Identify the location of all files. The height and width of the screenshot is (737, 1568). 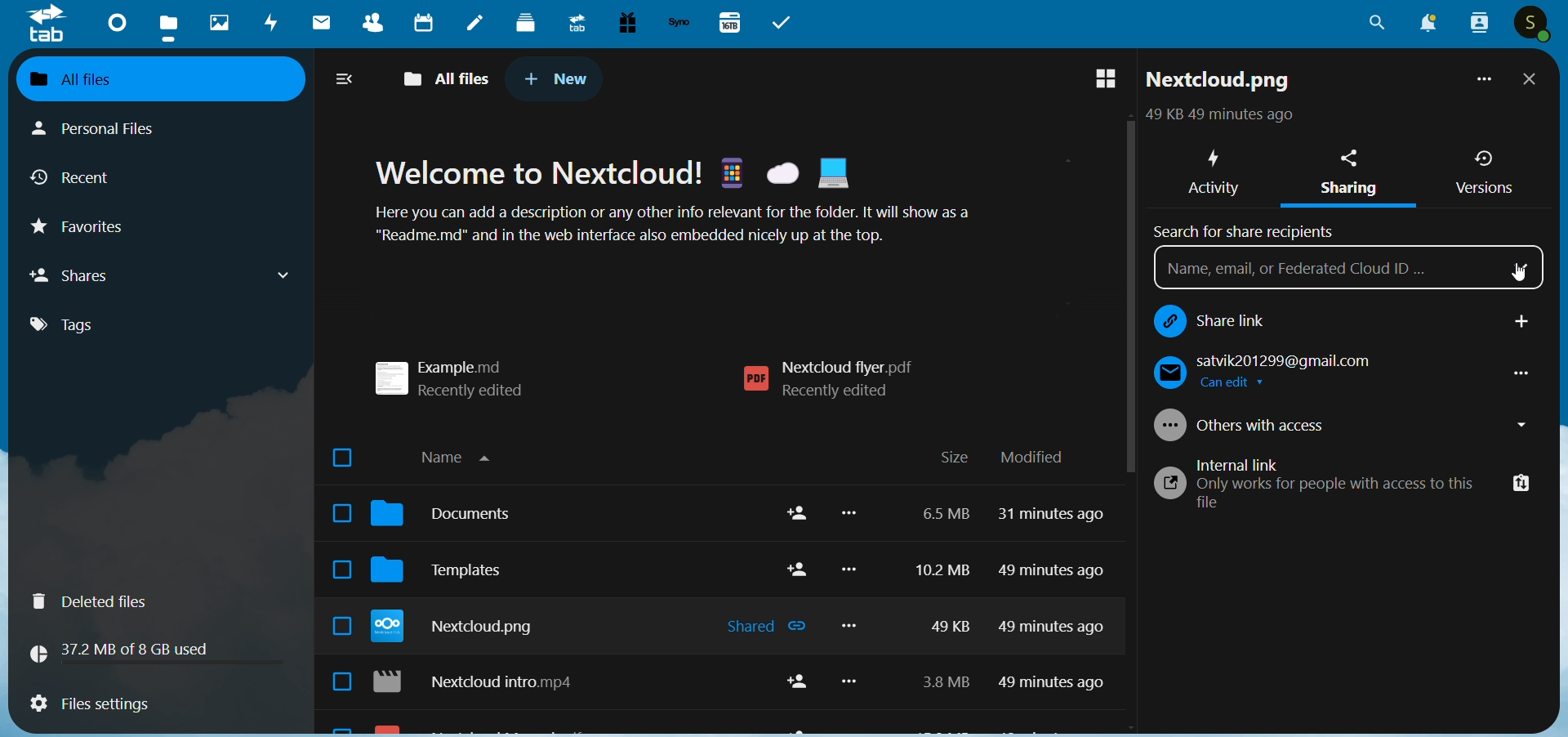
(146, 78).